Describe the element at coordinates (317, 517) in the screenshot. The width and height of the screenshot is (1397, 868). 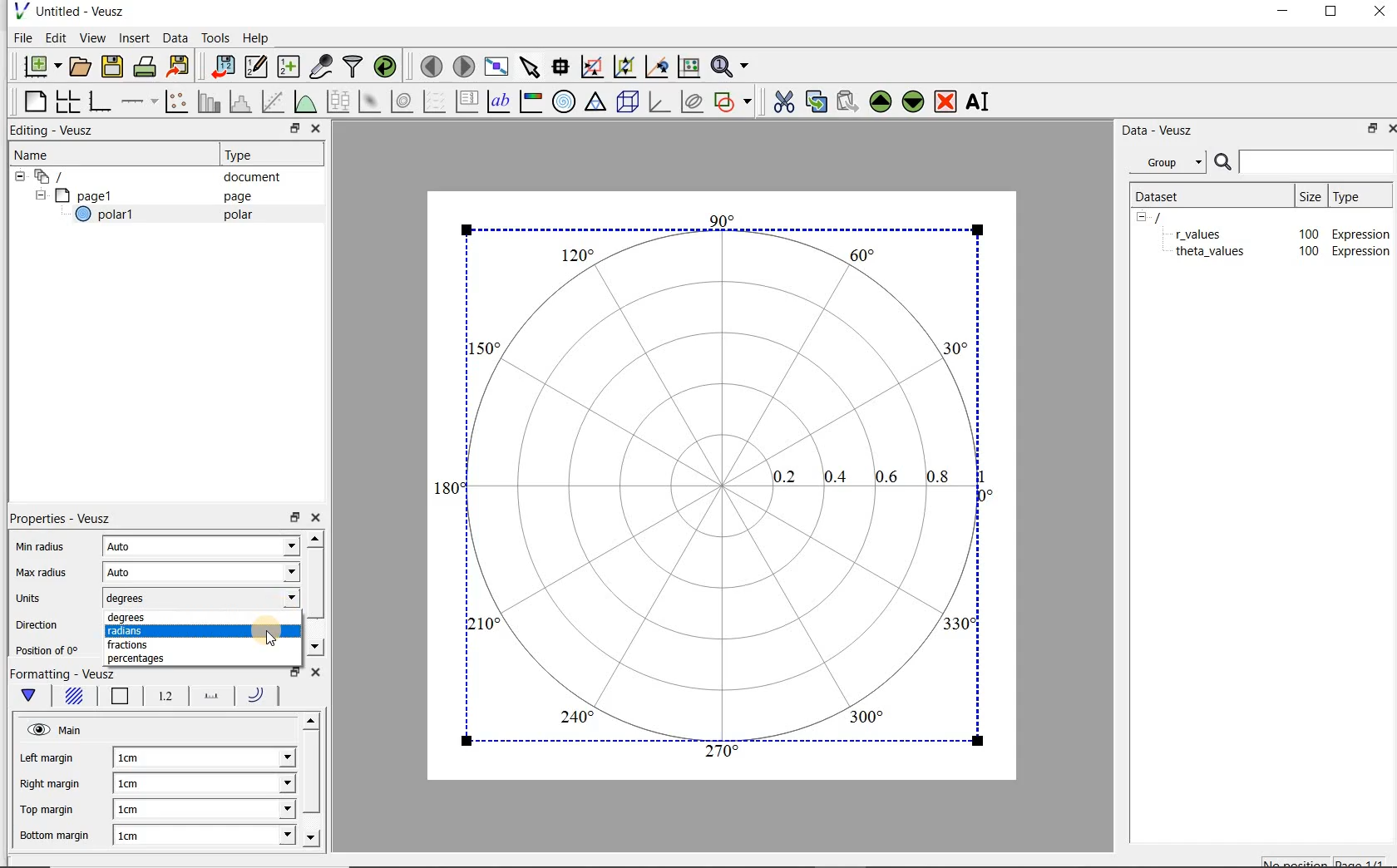
I see `close` at that location.